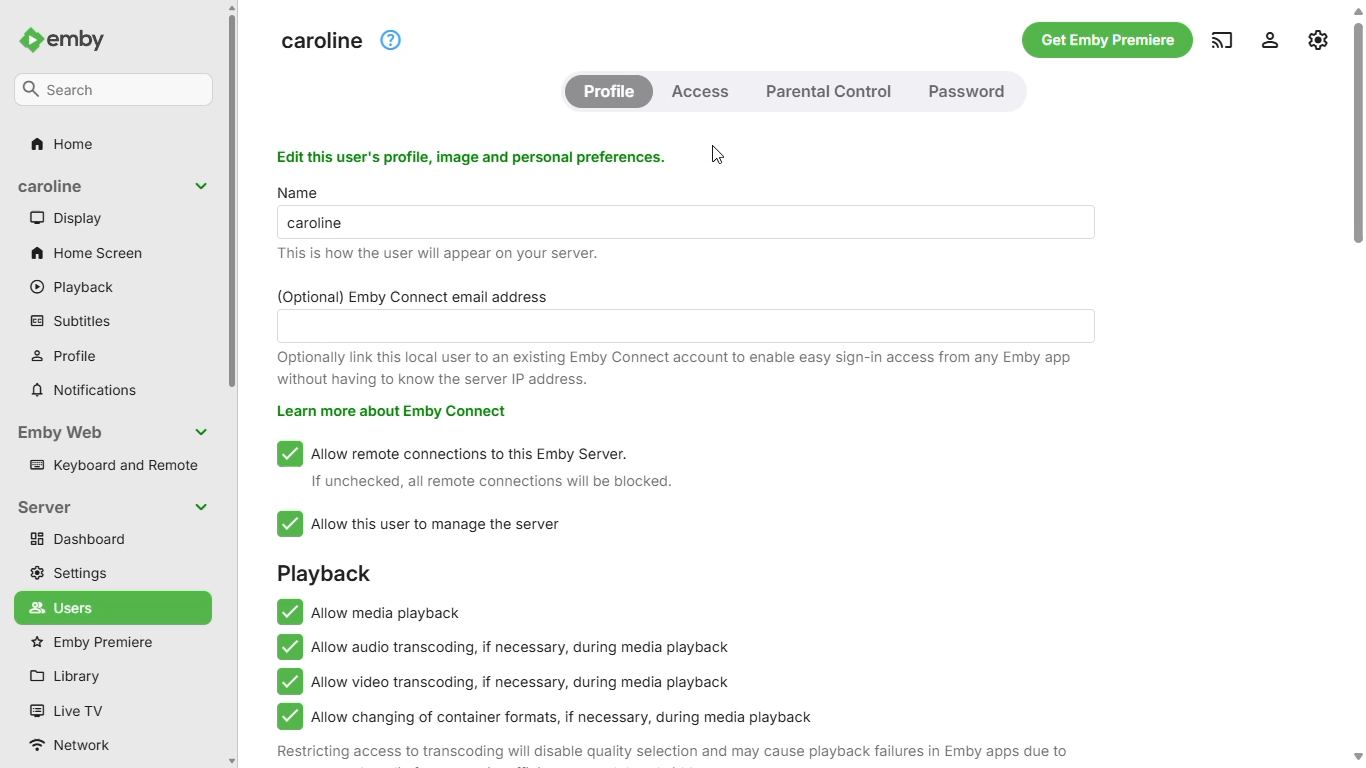 The image size is (1366, 768). Describe the element at coordinates (470, 159) in the screenshot. I see `edit this user's profile, image and personal preferences.` at that location.